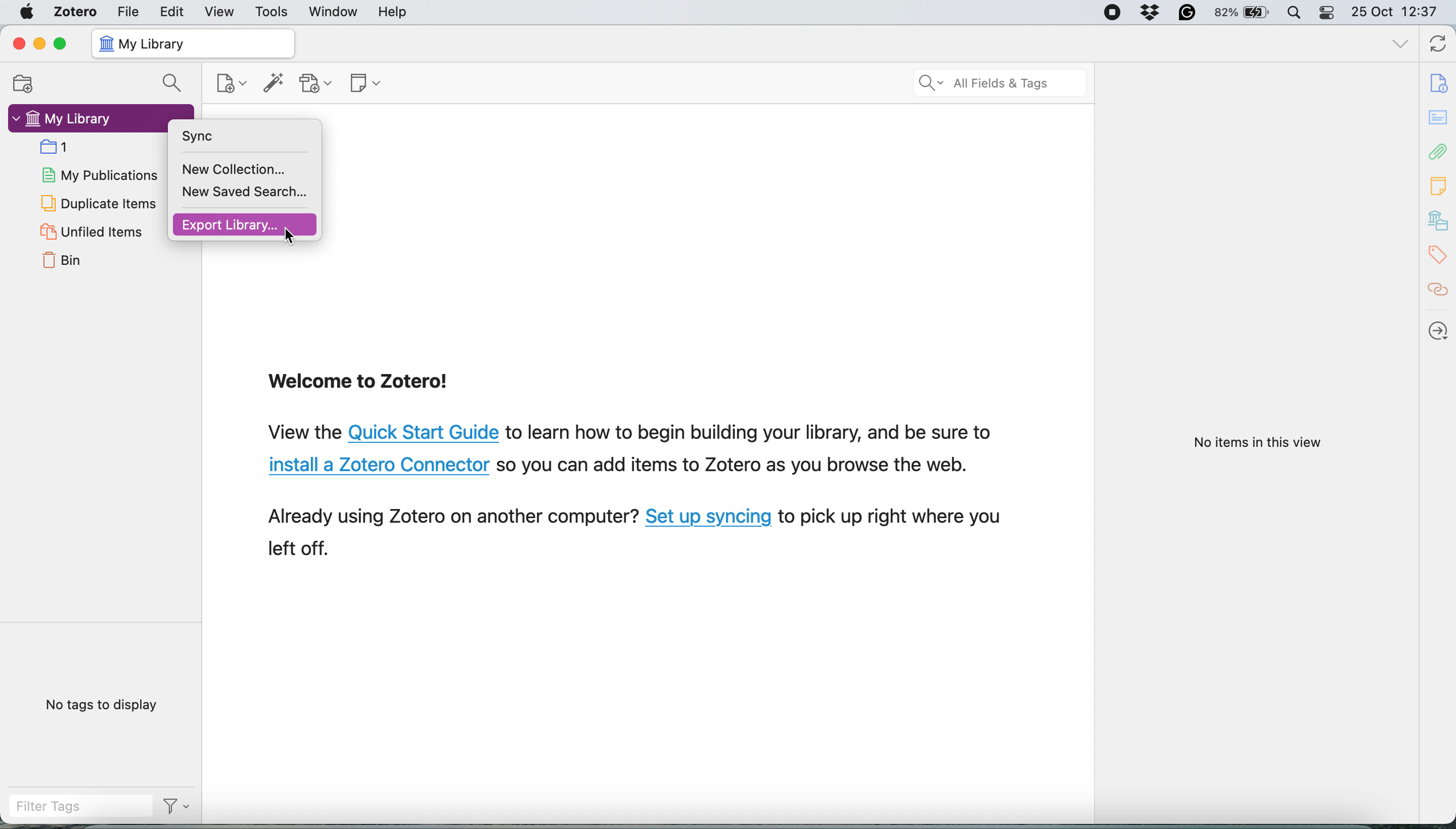 Image resolution: width=1456 pixels, height=829 pixels. I want to click on note, so click(1438, 188).